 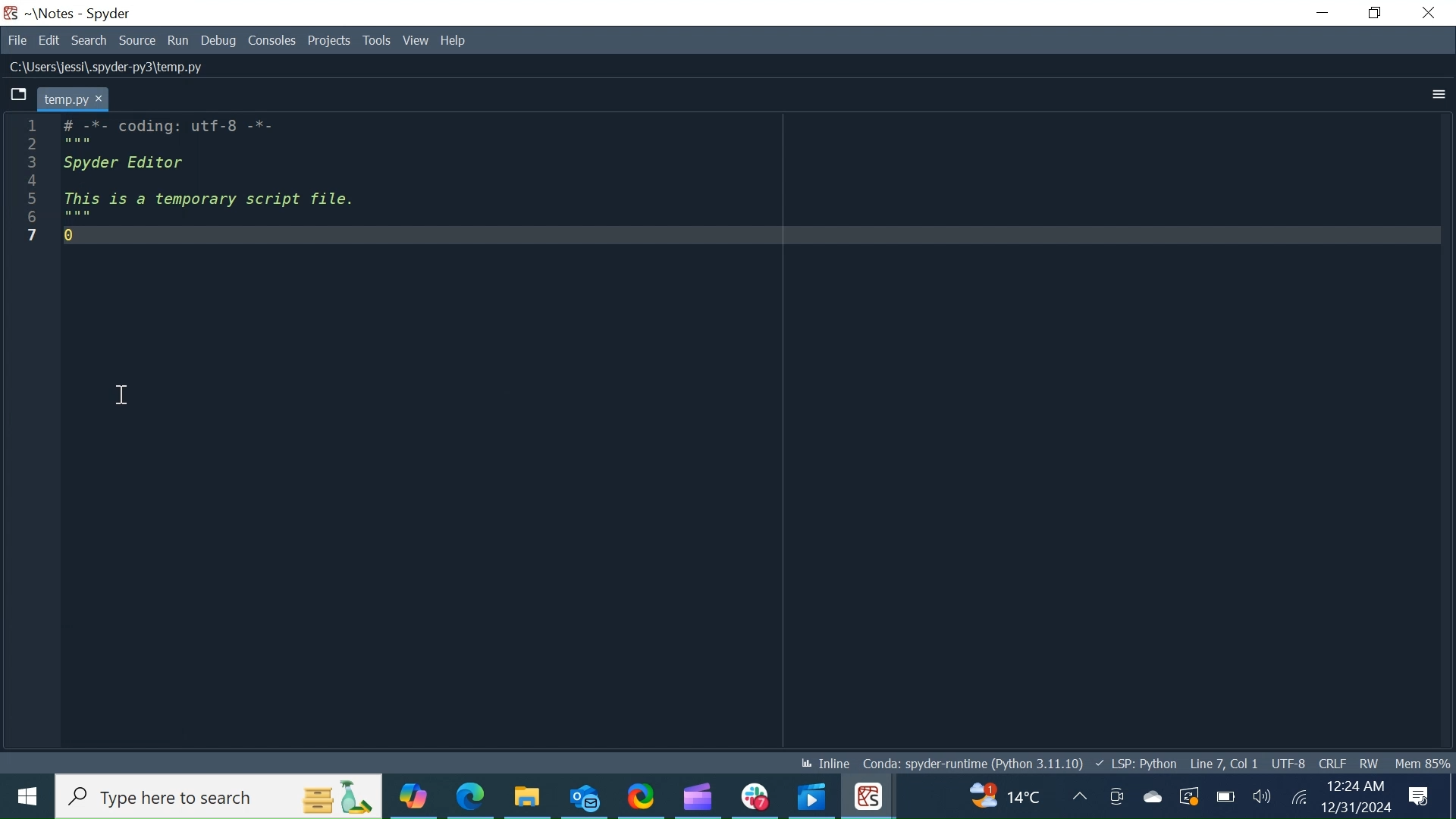 I want to click on Spyder Project Name, so click(x=52, y=14).